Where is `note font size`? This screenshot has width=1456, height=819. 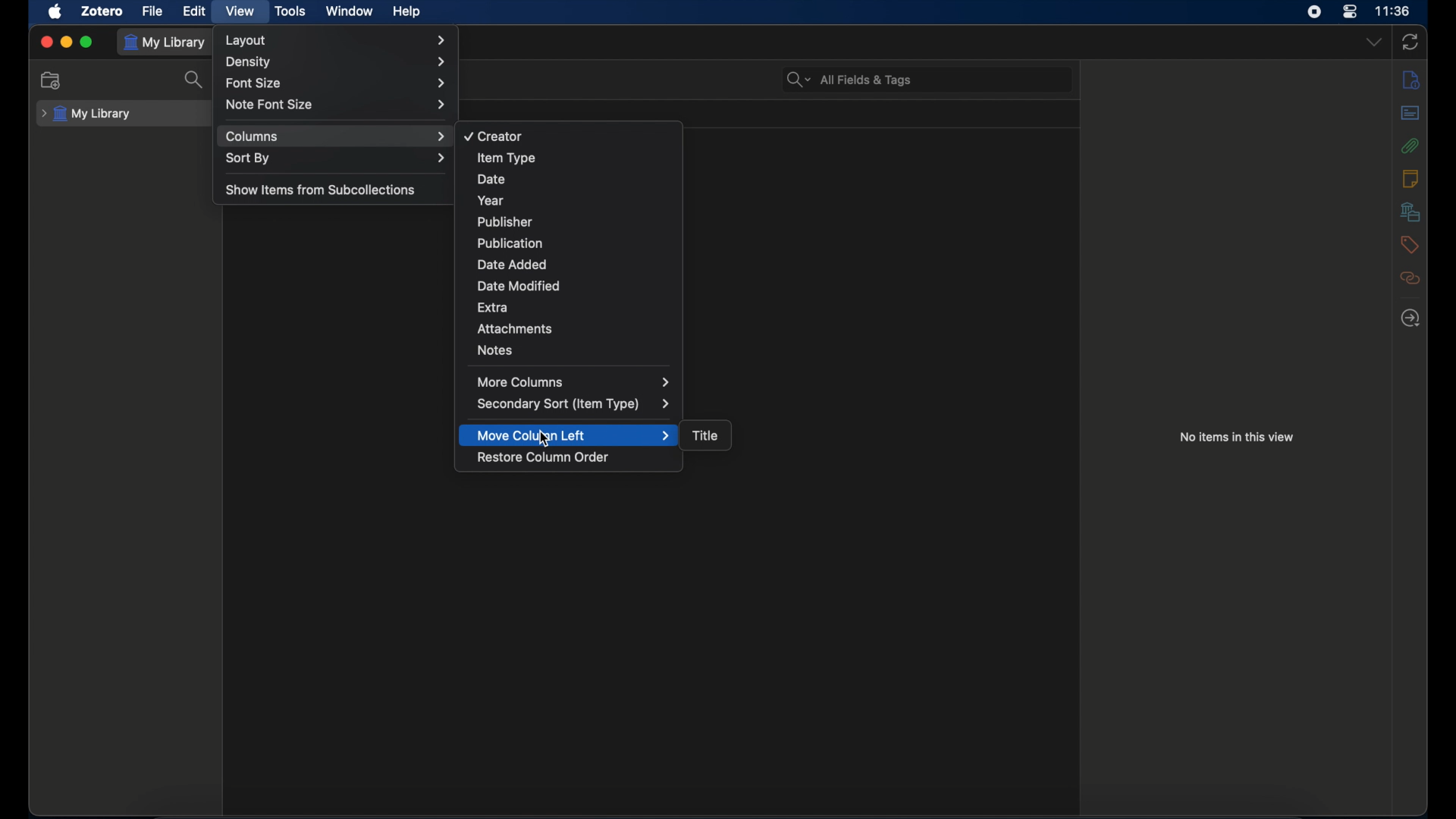
note font size is located at coordinates (336, 105).